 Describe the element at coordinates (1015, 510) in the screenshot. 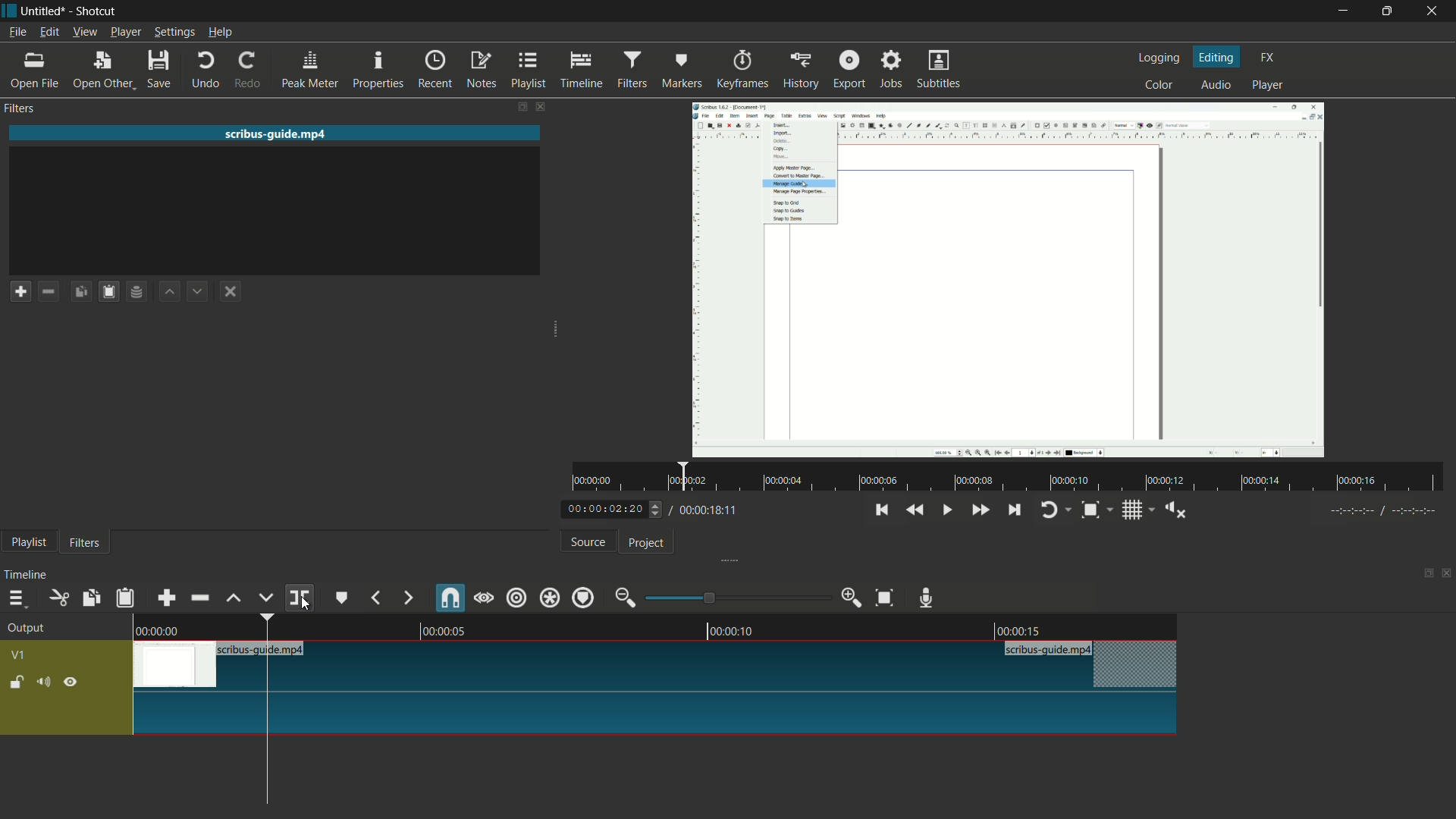

I see `skip to the next point` at that location.